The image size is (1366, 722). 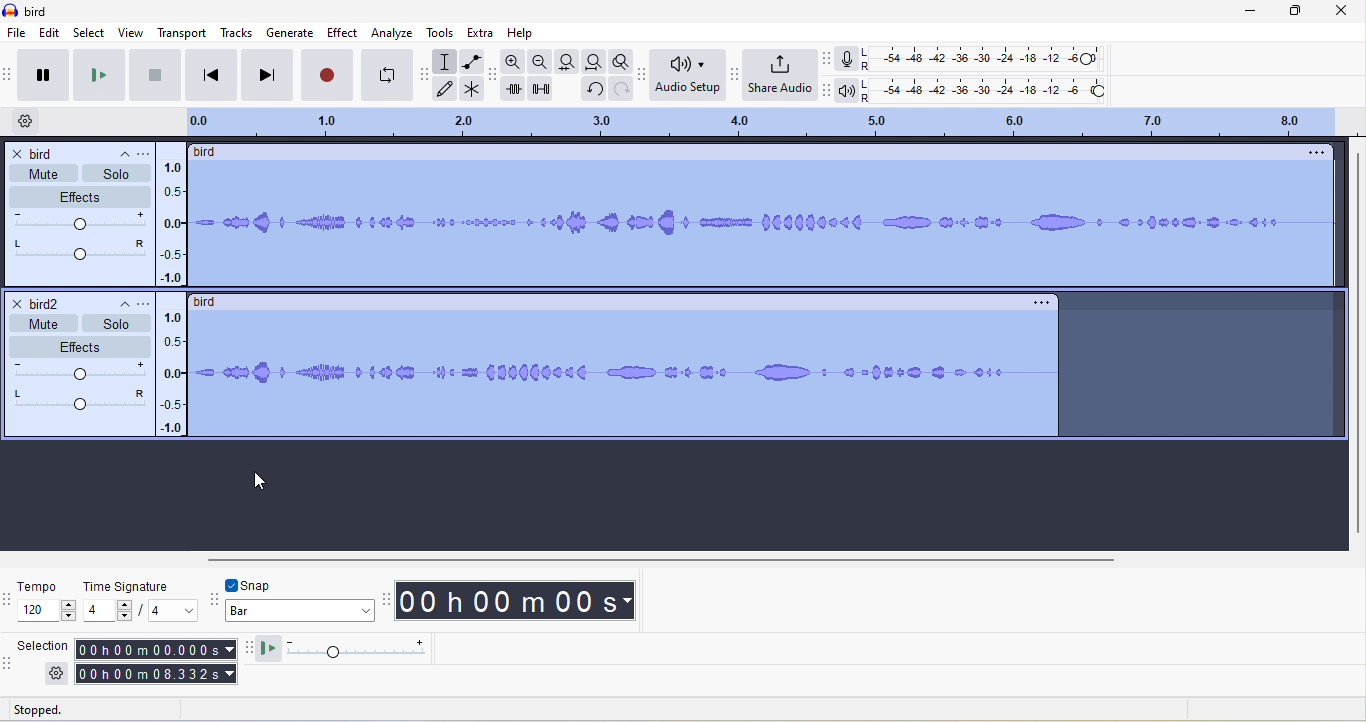 What do you see at coordinates (210, 155) in the screenshot?
I see `birdd` at bounding box center [210, 155].